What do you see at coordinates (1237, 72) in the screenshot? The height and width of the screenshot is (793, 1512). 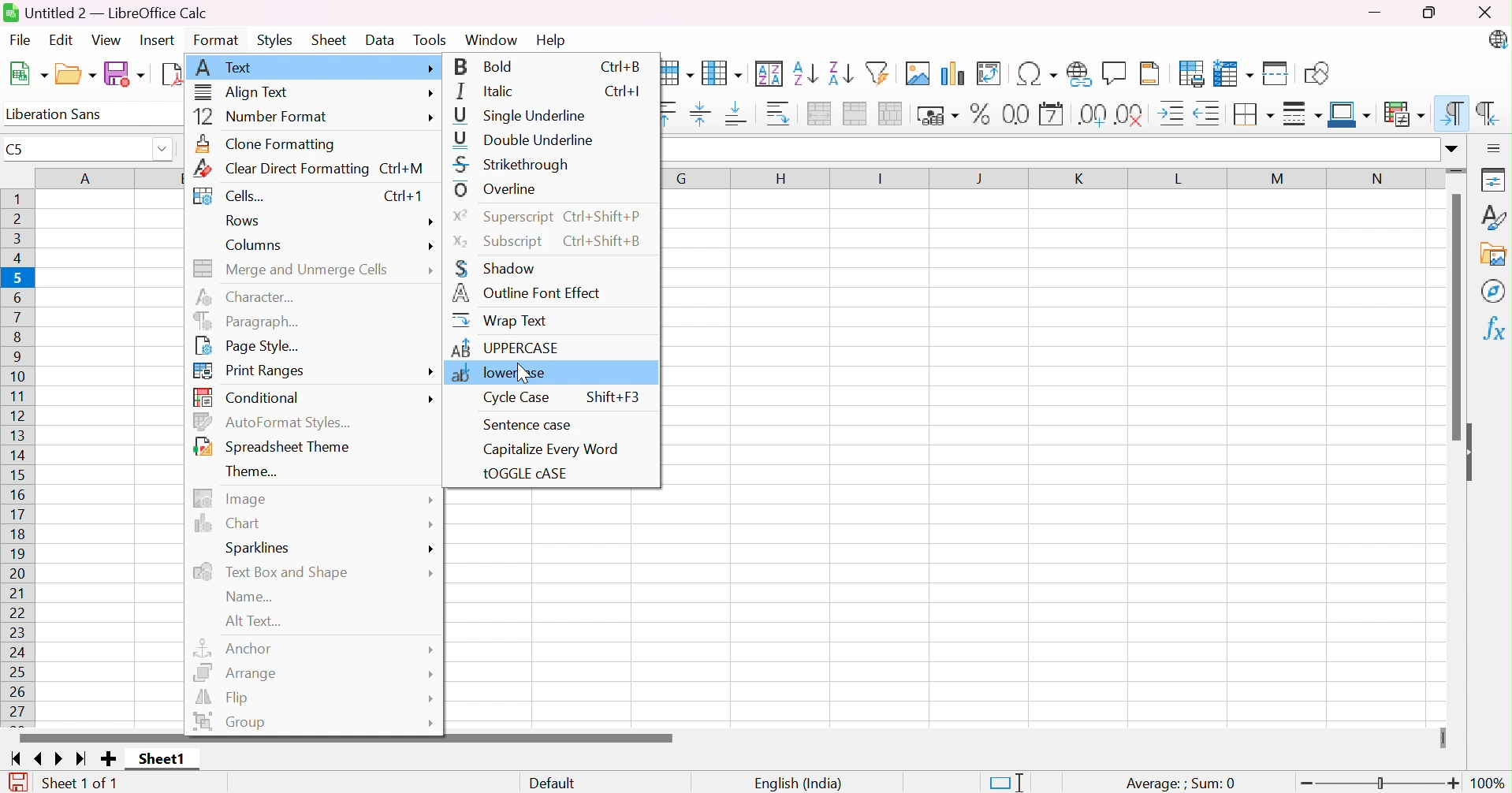 I see `Freeze Rows and Columns` at bounding box center [1237, 72].